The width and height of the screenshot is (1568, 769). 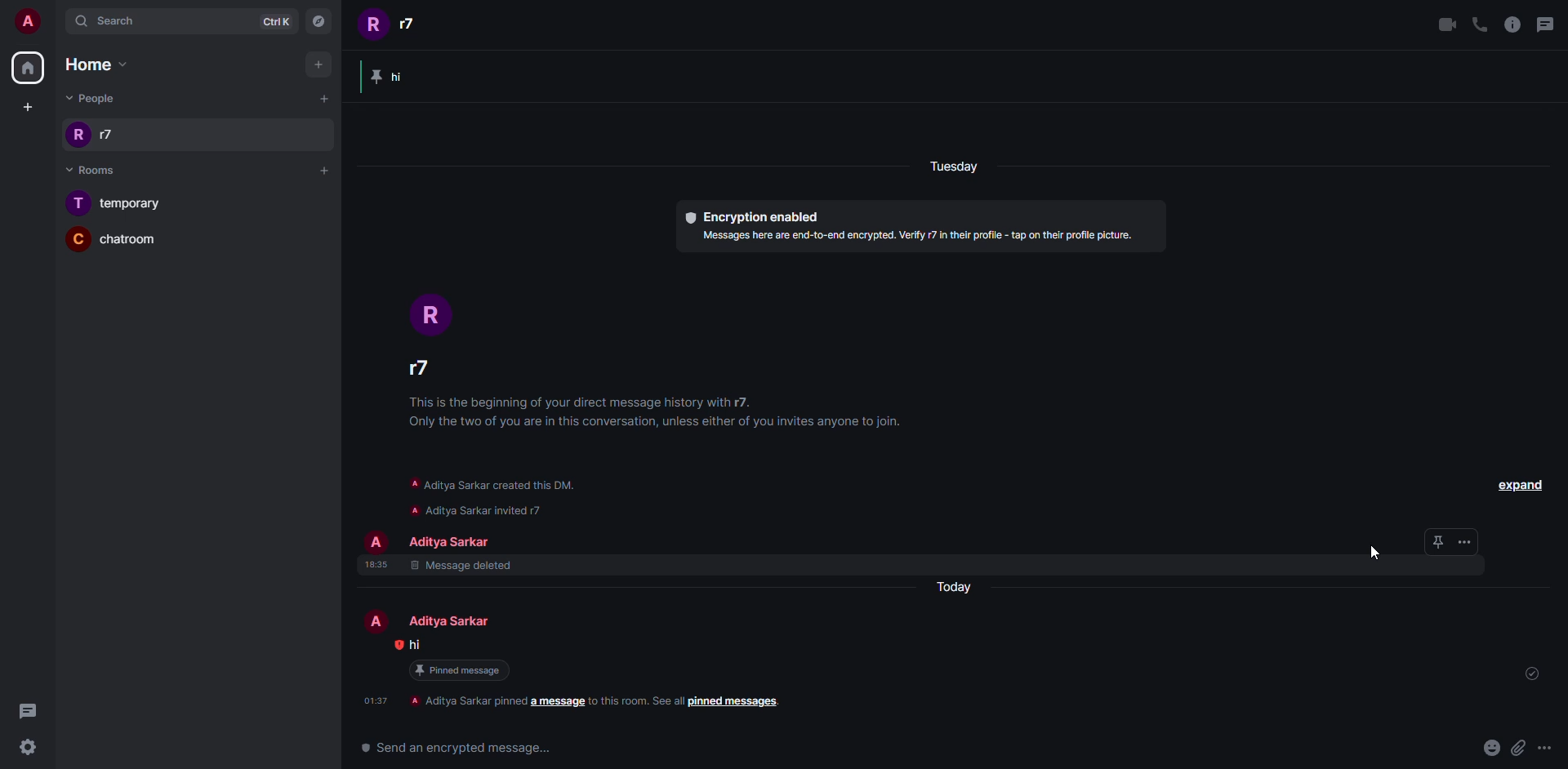 I want to click on rooms, so click(x=99, y=171).